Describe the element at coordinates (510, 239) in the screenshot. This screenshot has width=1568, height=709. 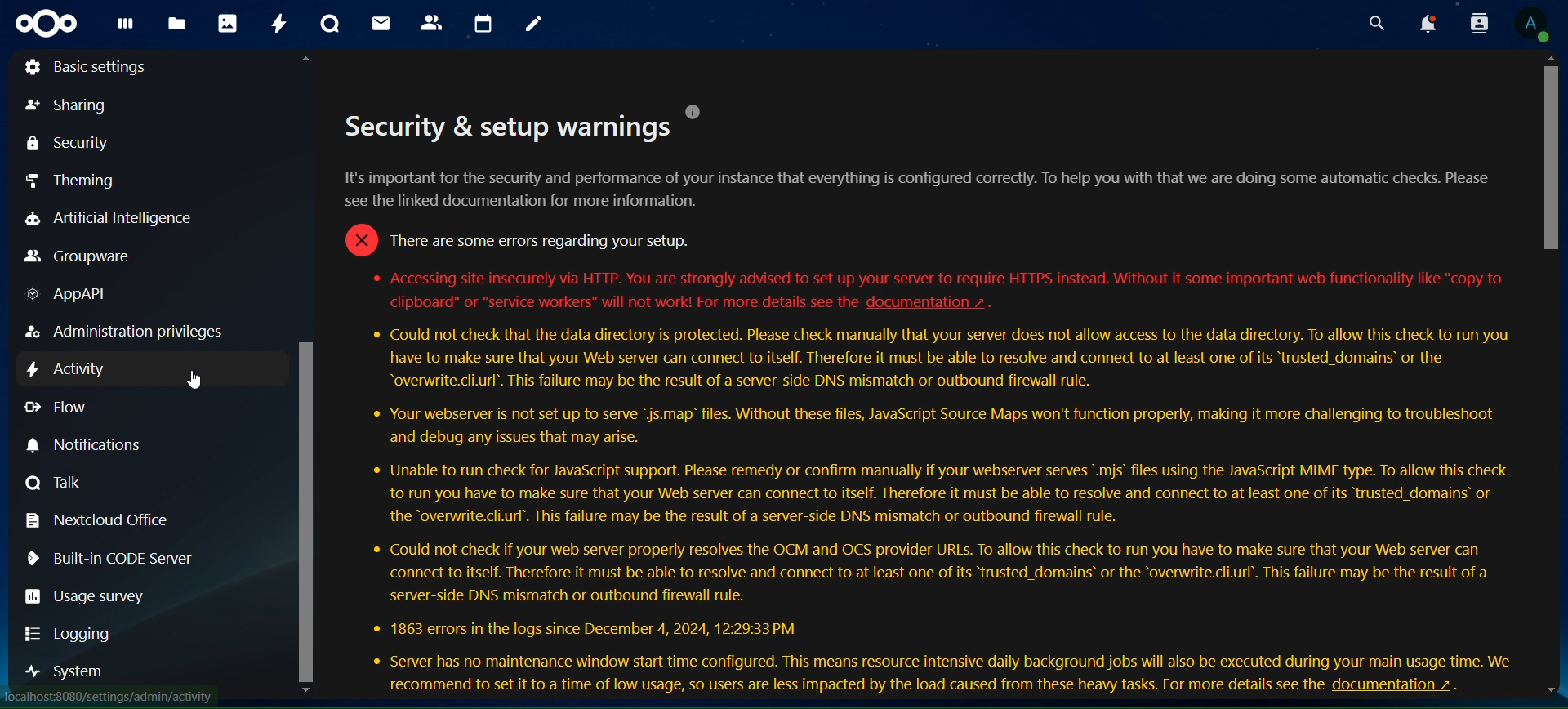
I see `o There are some errors regarding your setup.` at that location.